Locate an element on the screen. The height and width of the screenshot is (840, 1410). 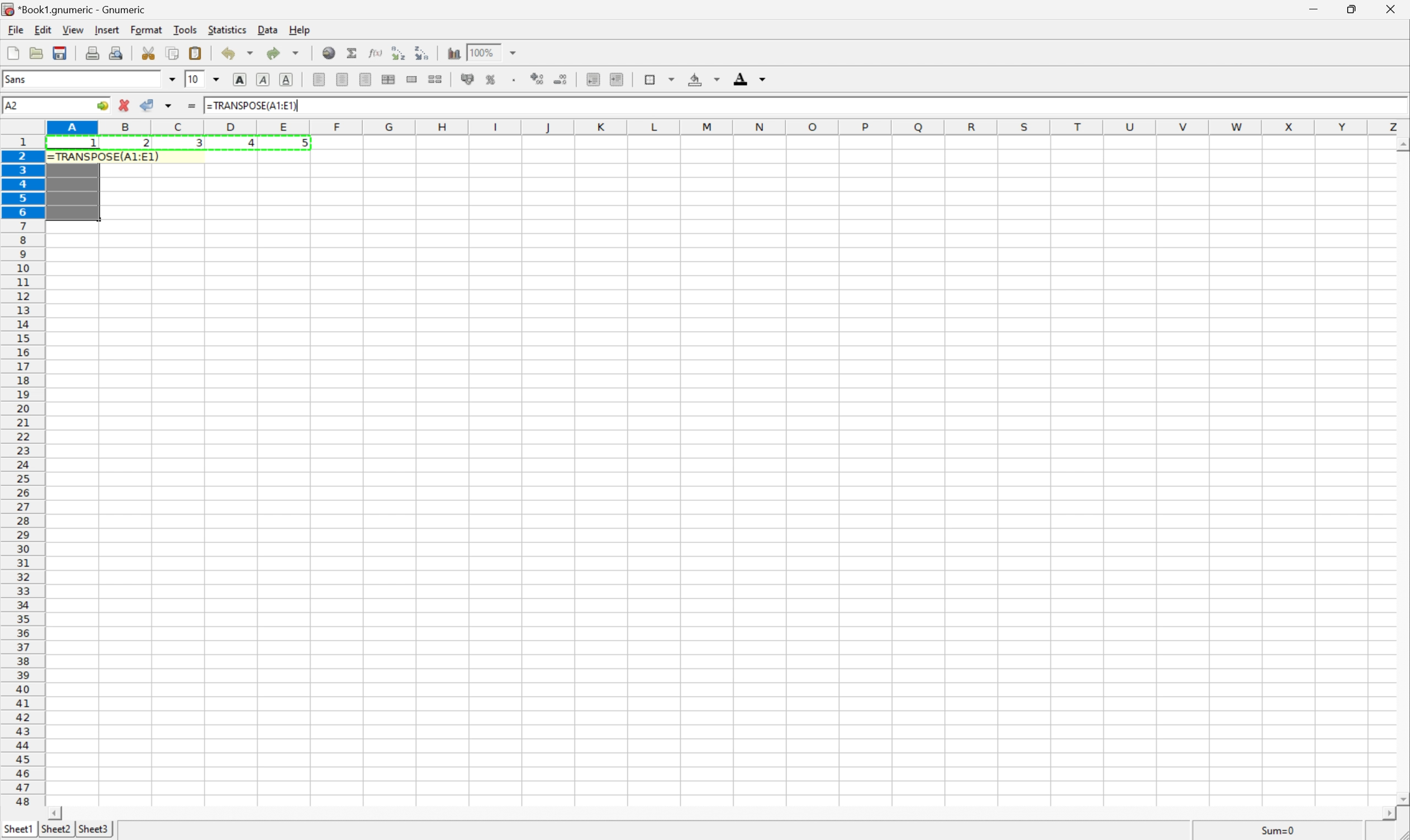
5 is located at coordinates (302, 145).